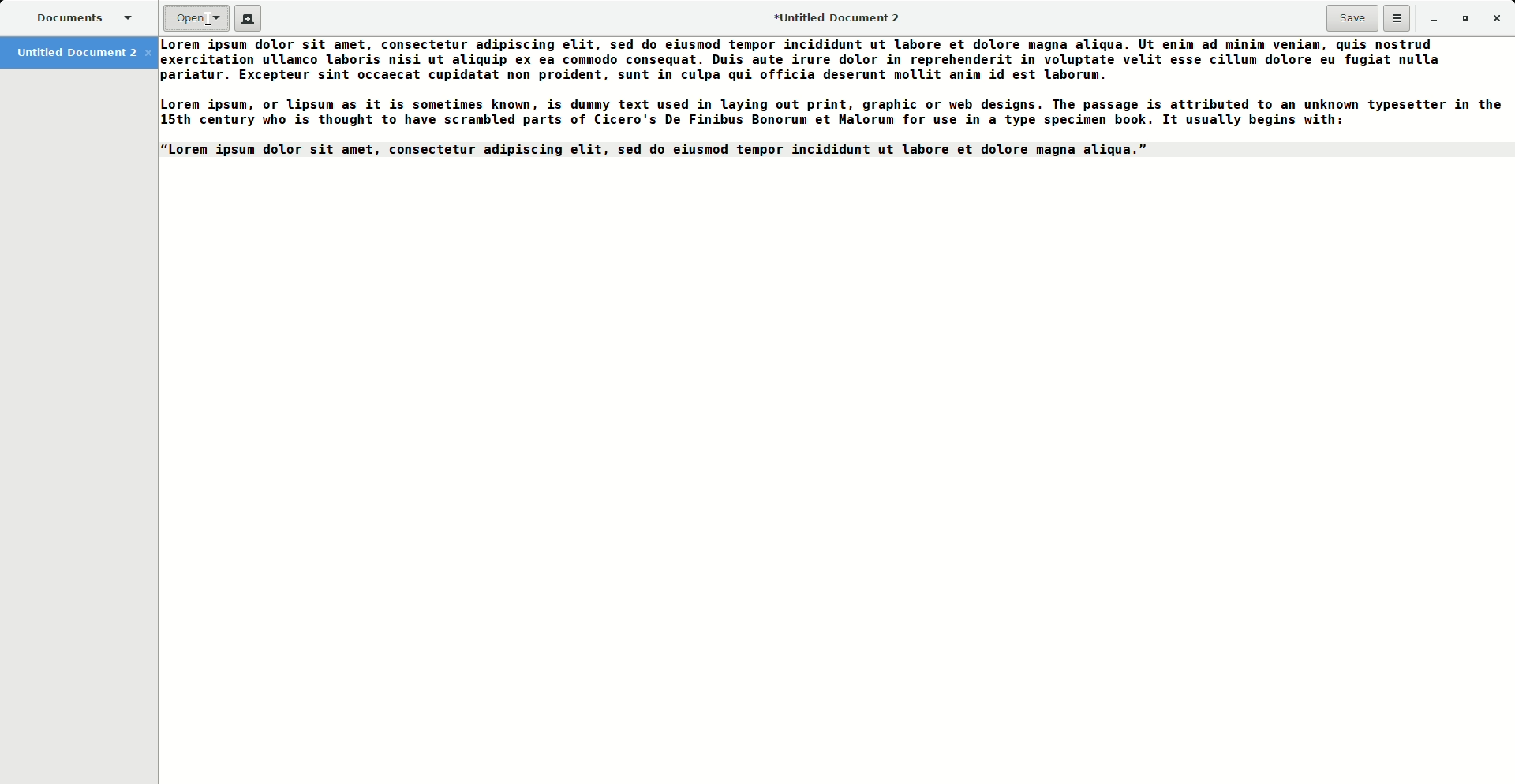  What do you see at coordinates (77, 15) in the screenshot?
I see `Documents` at bounding box center [77, 15].